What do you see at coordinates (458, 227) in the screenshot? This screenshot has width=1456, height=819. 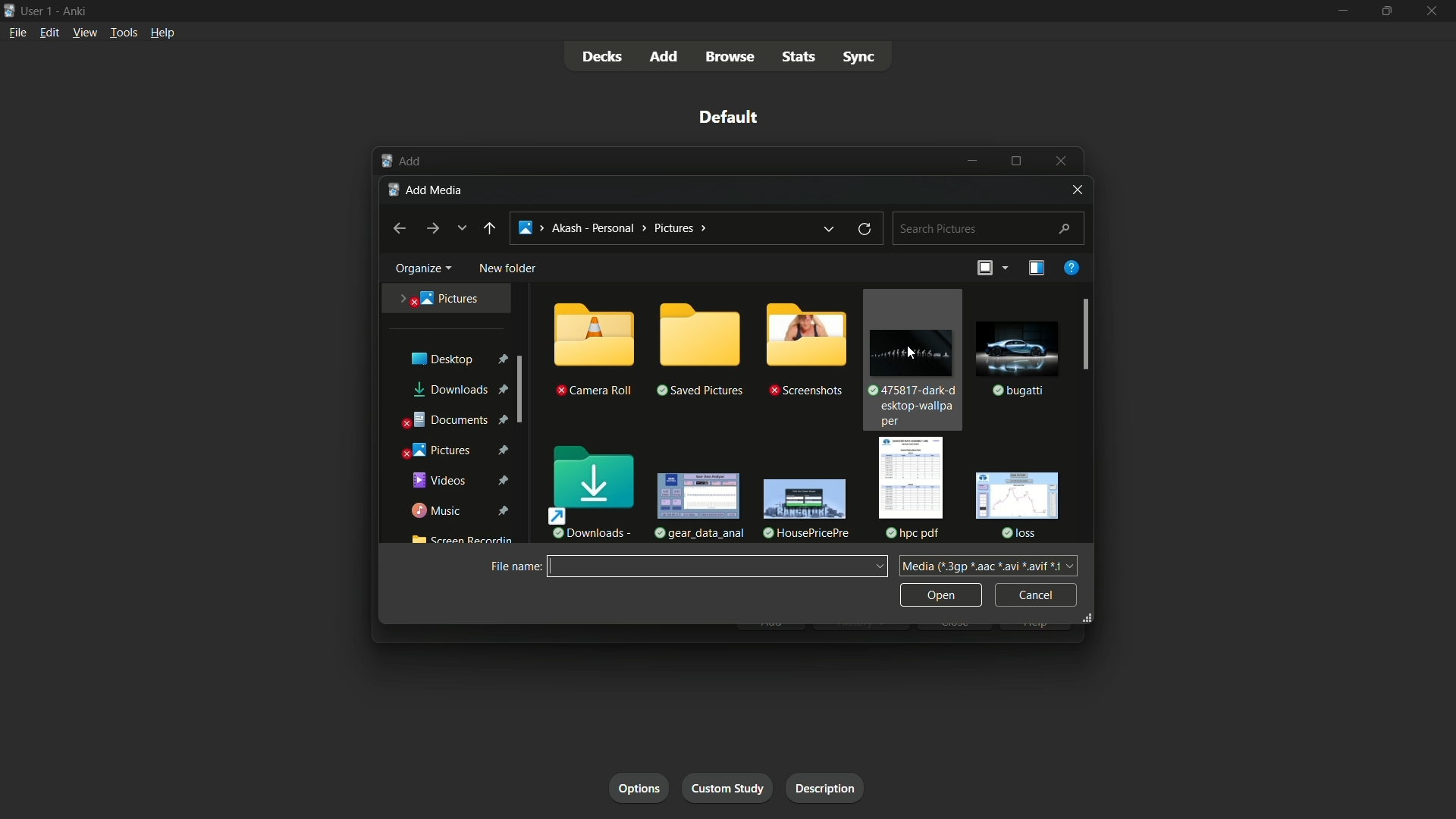 I see `recent locations` at bounding box center [458, 227].